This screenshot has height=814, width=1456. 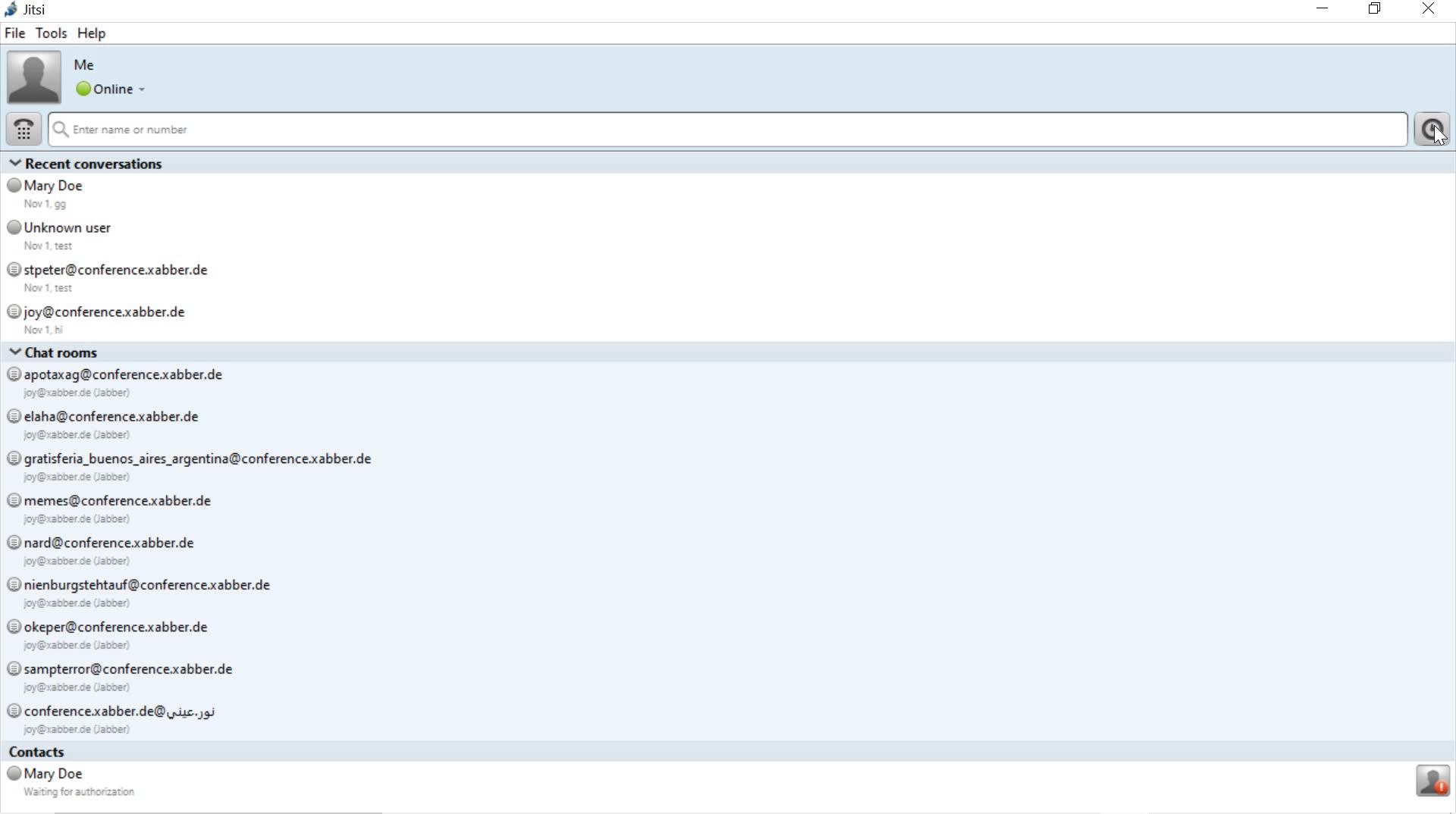 What do you see at coordinates (724, 131) in the screenshot?
I see `search name or contact` at bounding box center [724, 131].